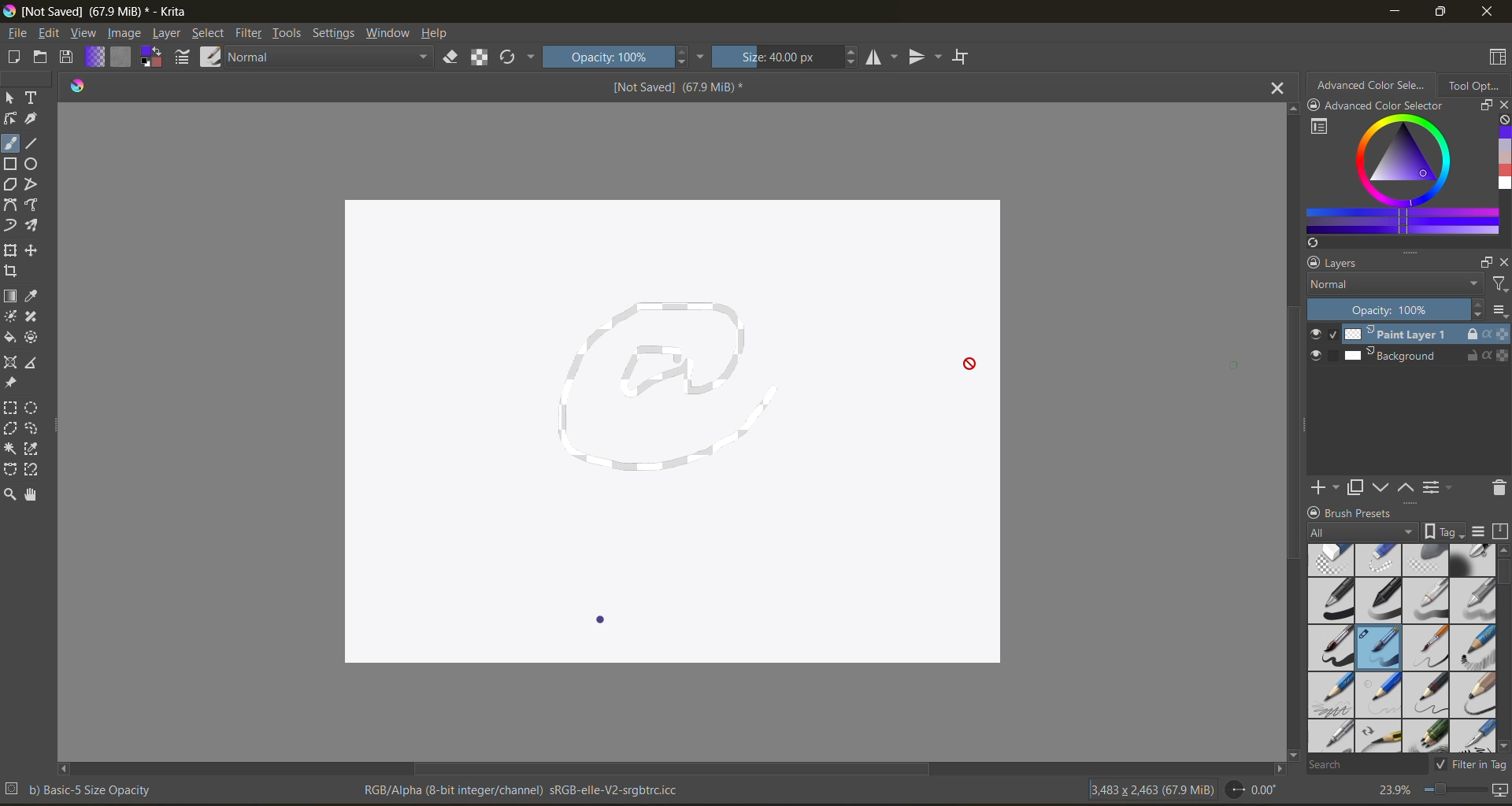  I want to click on foreground background color selector, so click(152, 58).